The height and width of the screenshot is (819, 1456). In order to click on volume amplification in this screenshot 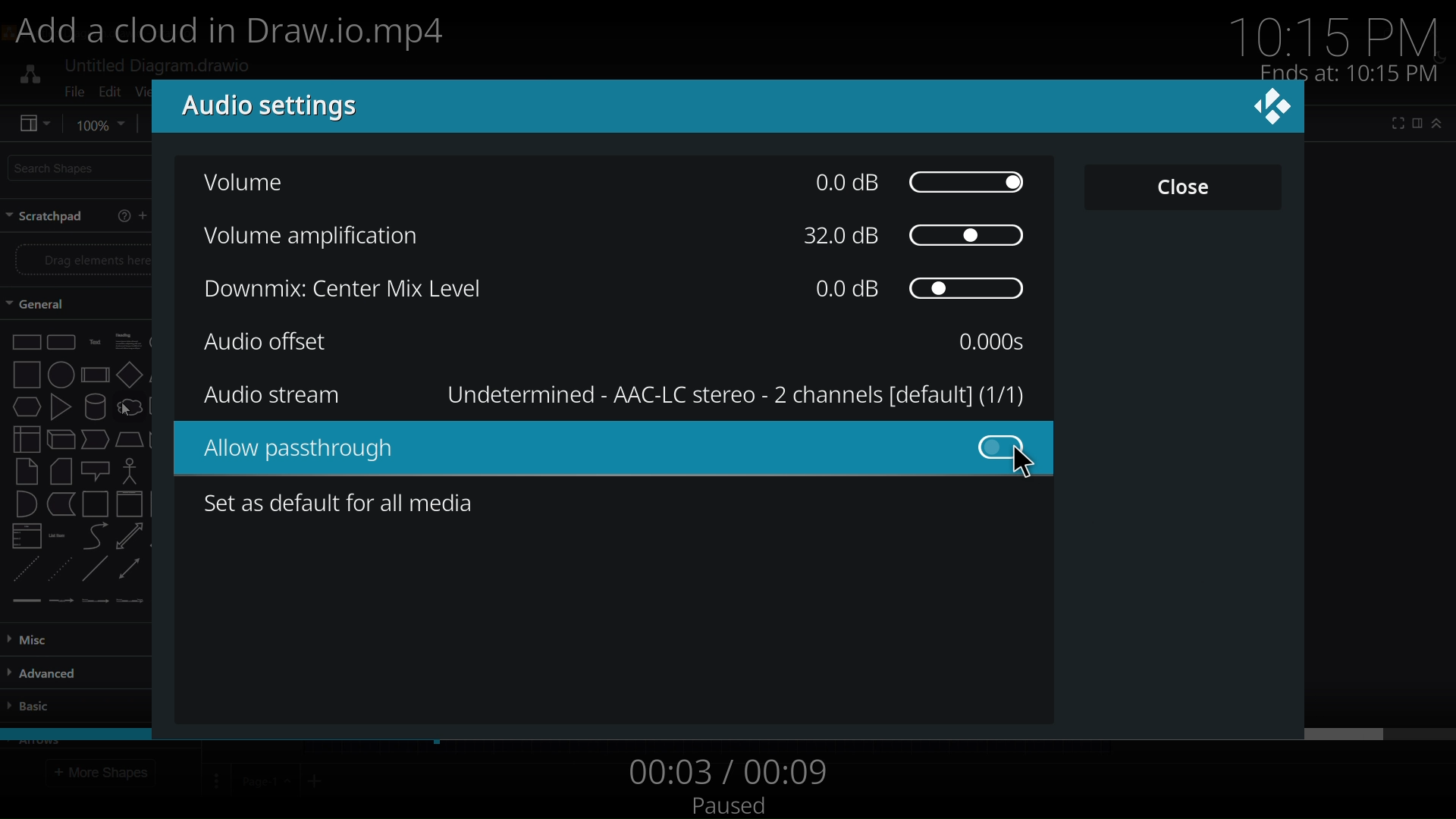, I will do `click(318, 240)`.